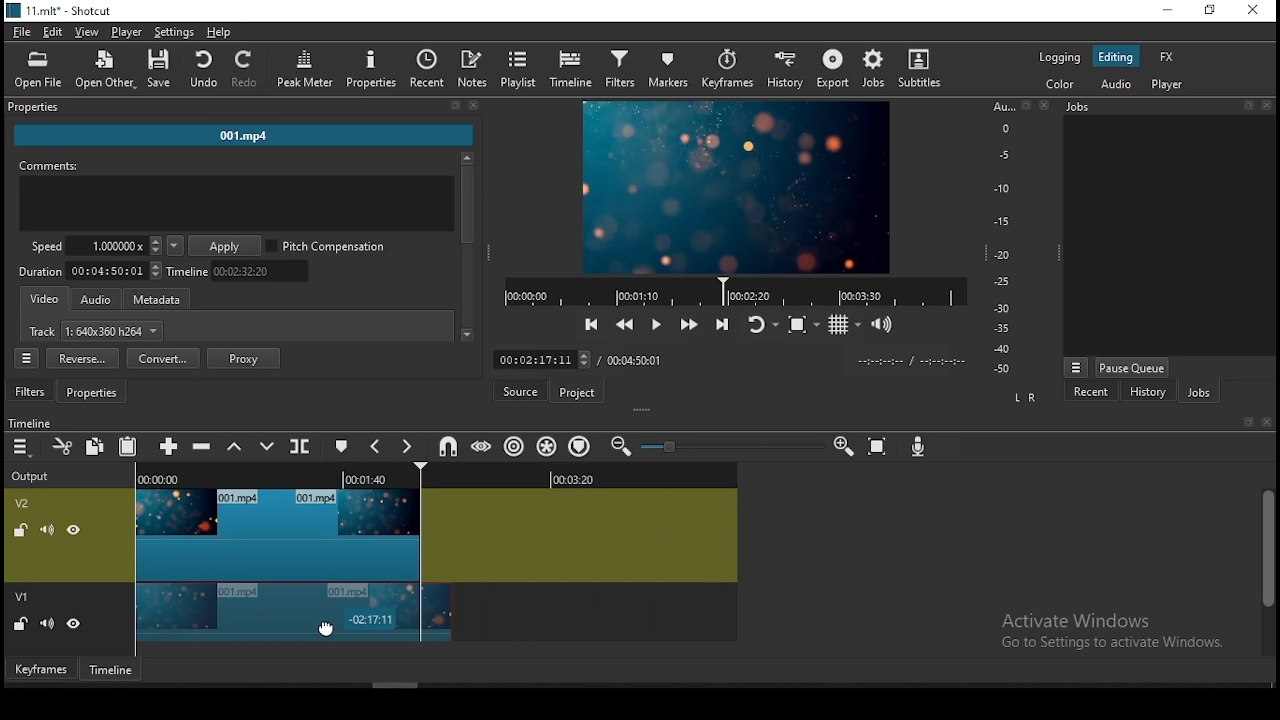 This screenshot has height=720, width=1280. I want to click on audio, so click(1114, 84).